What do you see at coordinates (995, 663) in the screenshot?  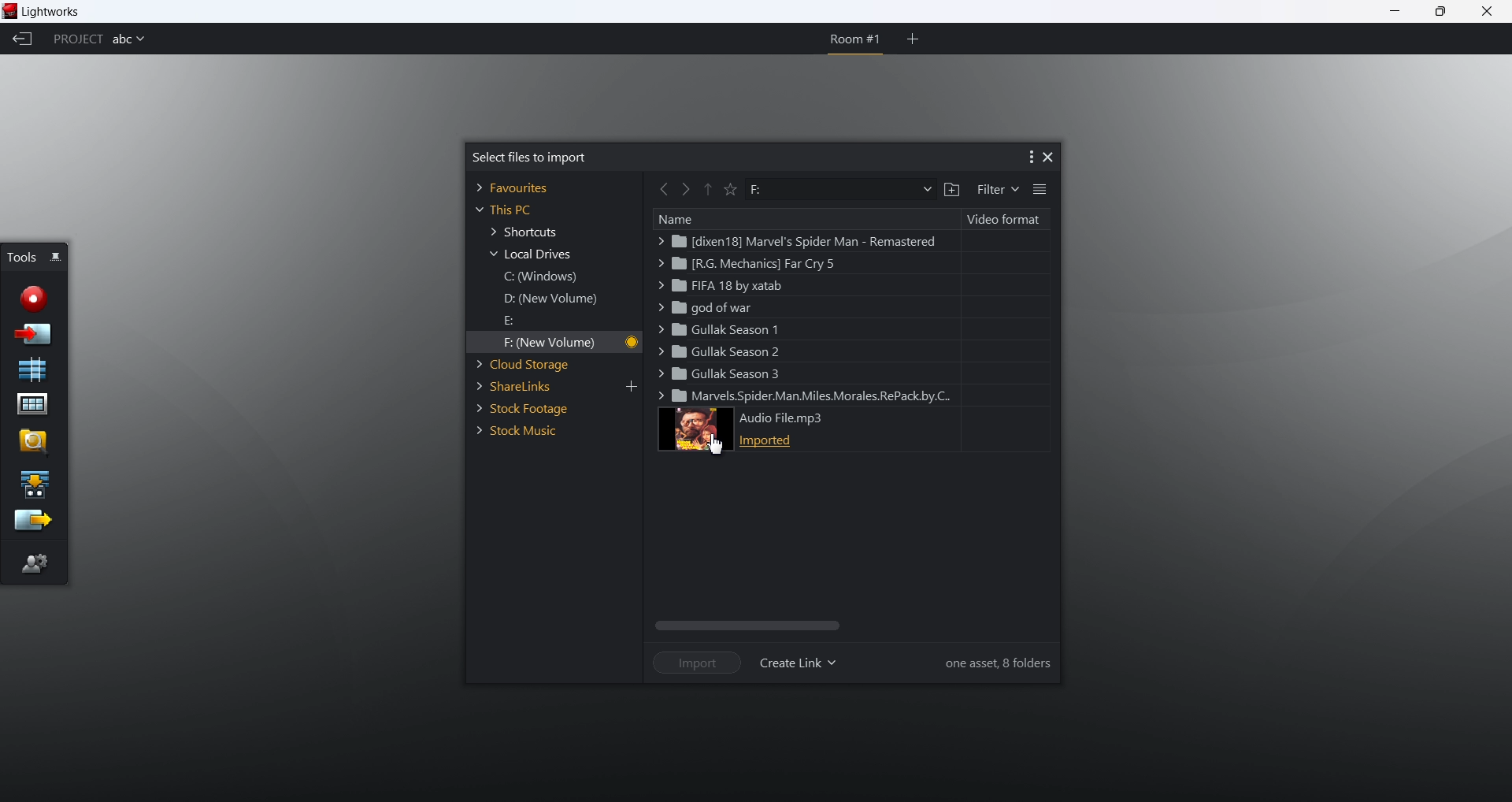 I see `information` at bounding box center [995, 663].